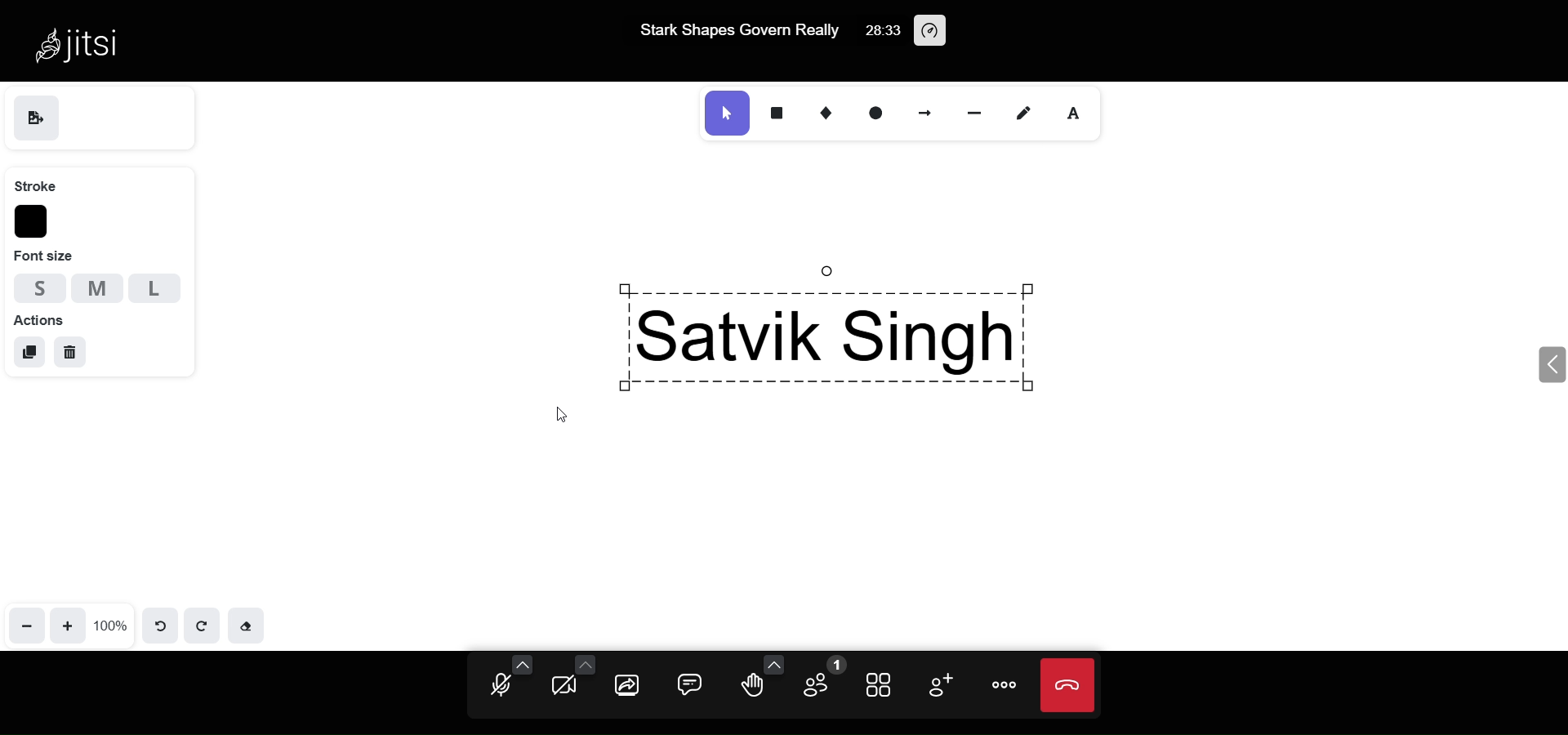 Image resolution: width=1568 pixels, height=735 pixels. What do you see at coordinates (941, 684) in the screenshot?
I see `invite people` at bounding box center [941, 684].